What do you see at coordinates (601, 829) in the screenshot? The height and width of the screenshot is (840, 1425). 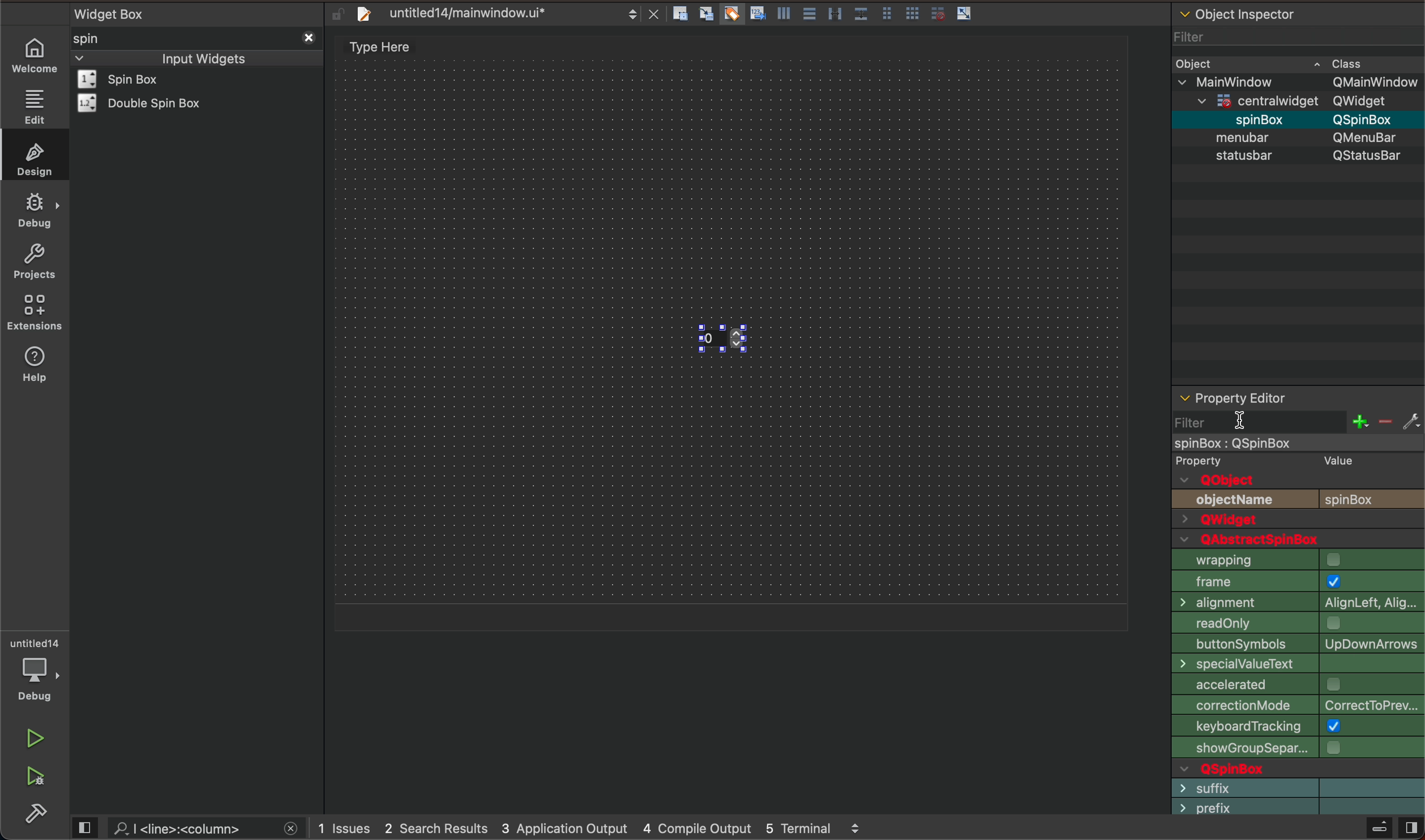 I see `logs` at bounding box center [601, 829].